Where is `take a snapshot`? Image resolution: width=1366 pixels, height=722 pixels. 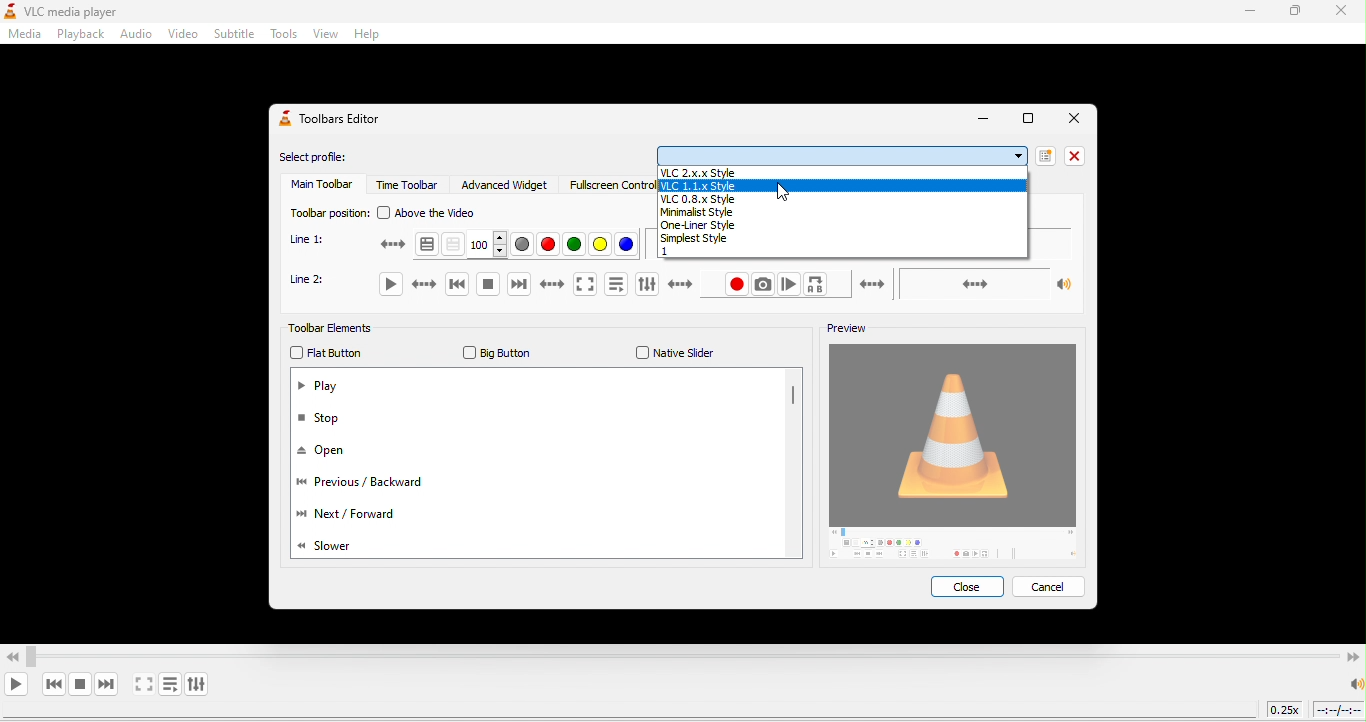 take a snapshot is located at coordinates (765, 285).